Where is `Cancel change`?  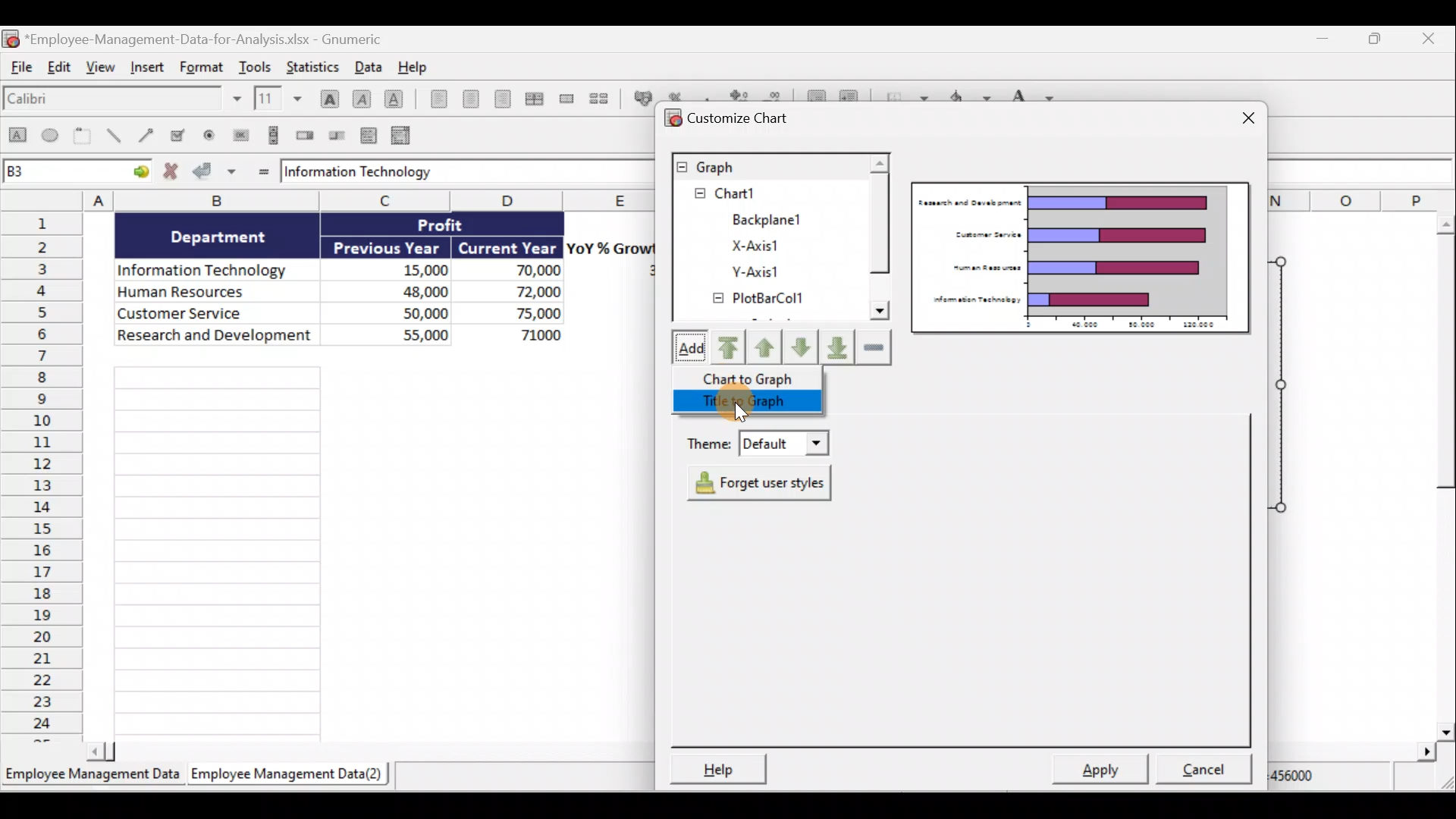
Cancel change is located at coordinates (174, 172).